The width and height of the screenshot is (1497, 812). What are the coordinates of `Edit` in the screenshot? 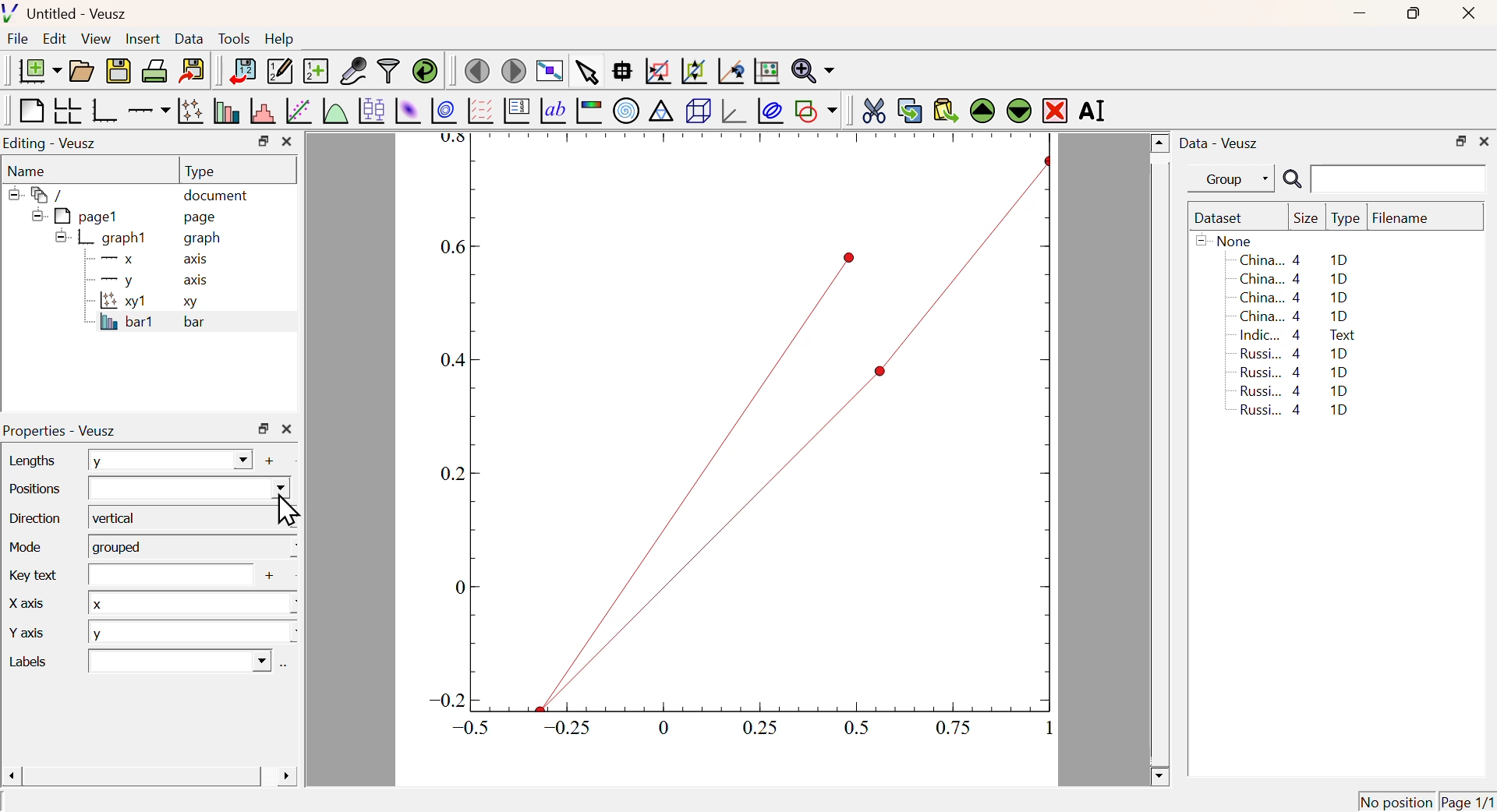 It's located at (55, 37).